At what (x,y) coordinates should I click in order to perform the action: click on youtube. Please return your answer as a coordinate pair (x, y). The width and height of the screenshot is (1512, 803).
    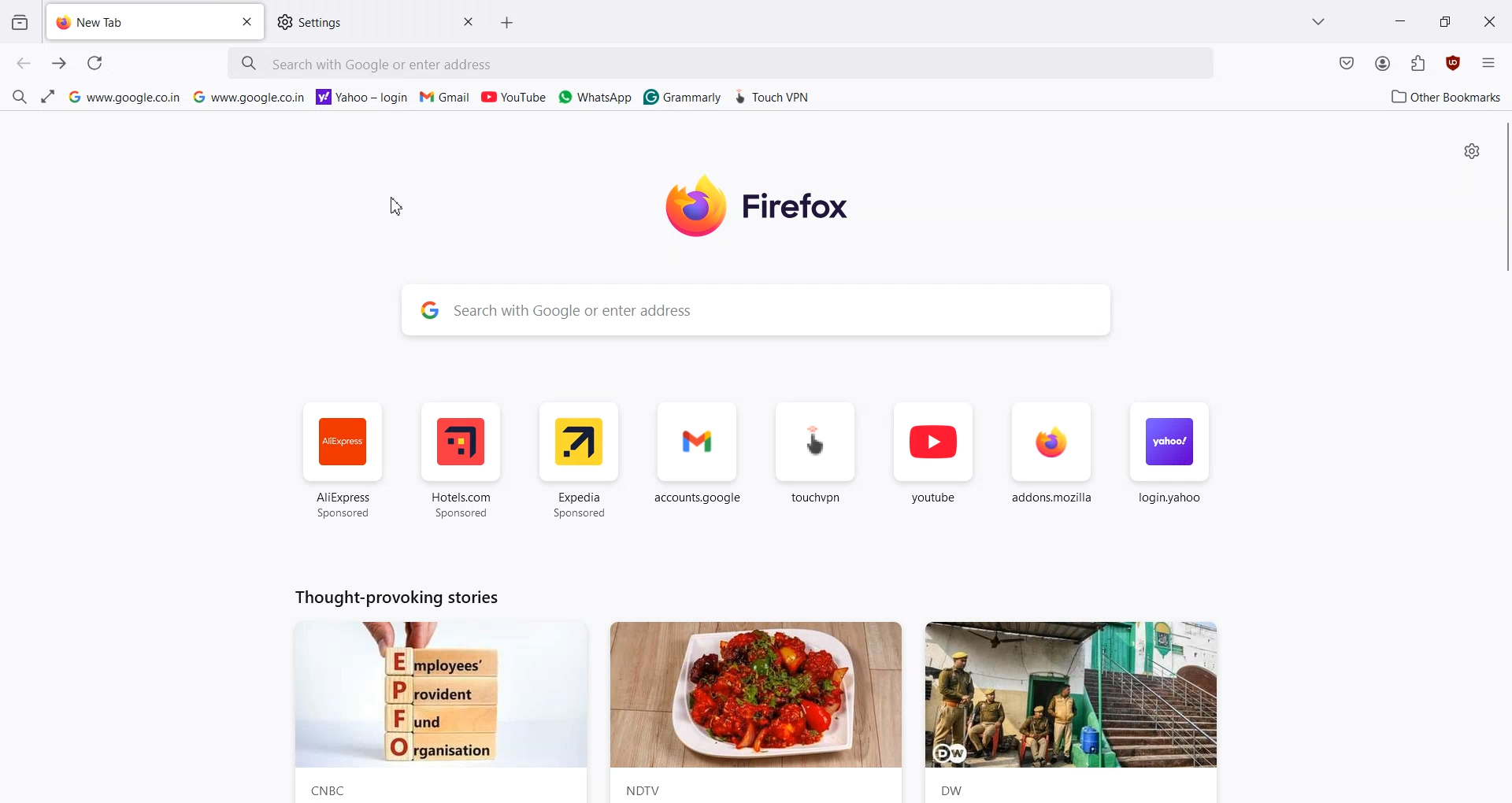
    Looking at the image, I should click on (933, 462).